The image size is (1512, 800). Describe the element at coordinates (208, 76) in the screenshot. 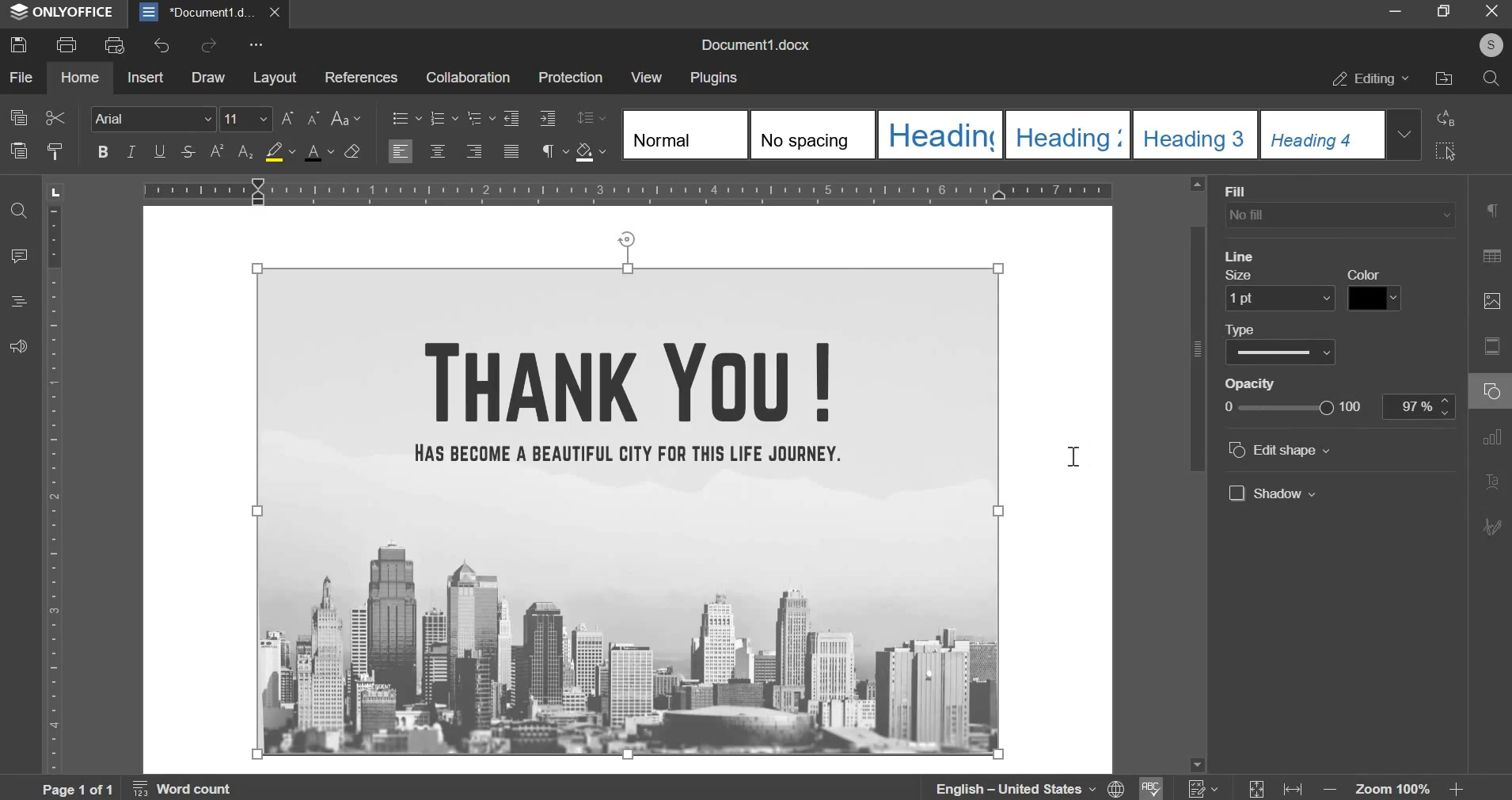

I see `draw` at that location.